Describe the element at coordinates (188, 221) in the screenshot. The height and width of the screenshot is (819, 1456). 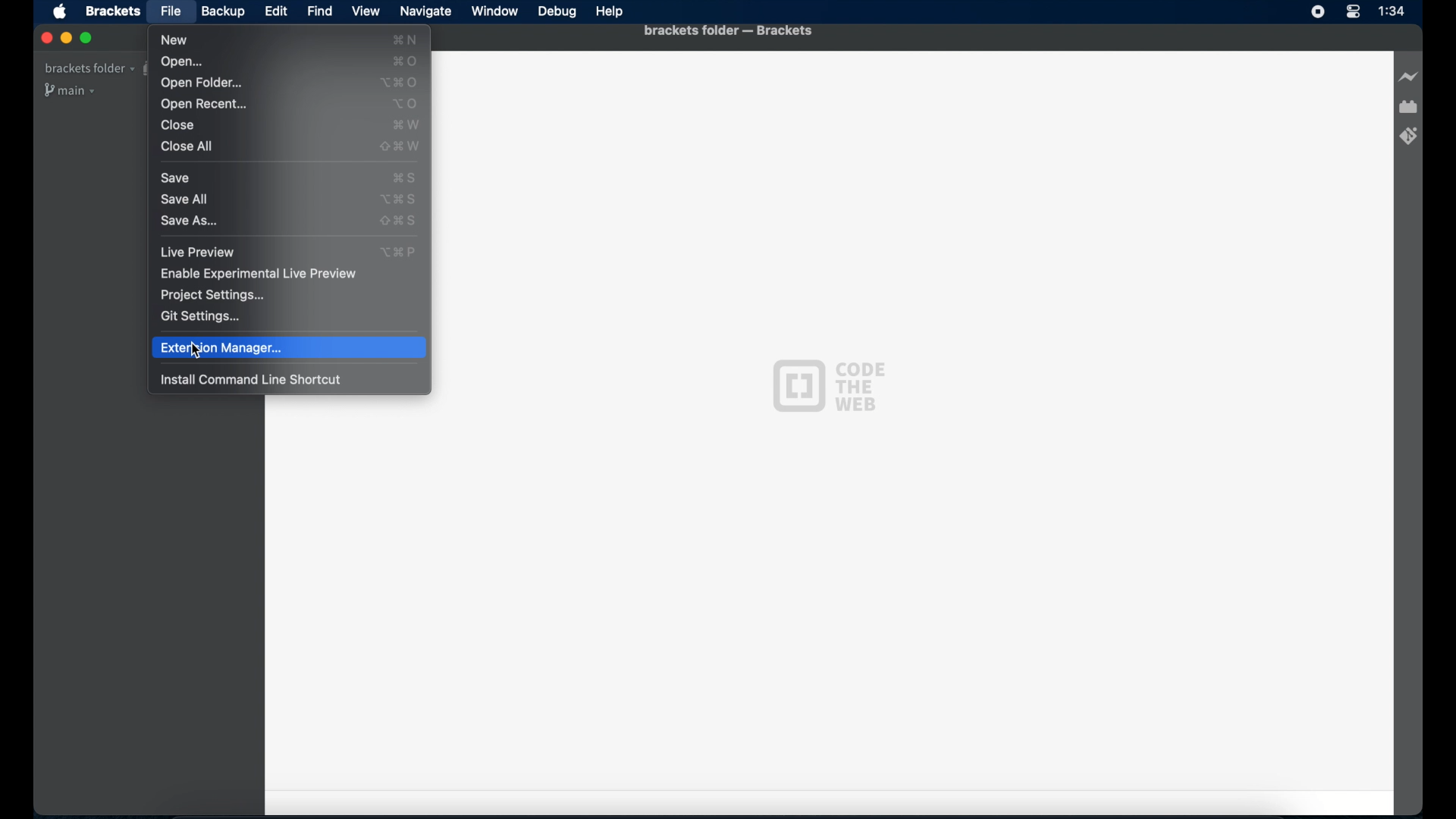
I see `save as` at that location.